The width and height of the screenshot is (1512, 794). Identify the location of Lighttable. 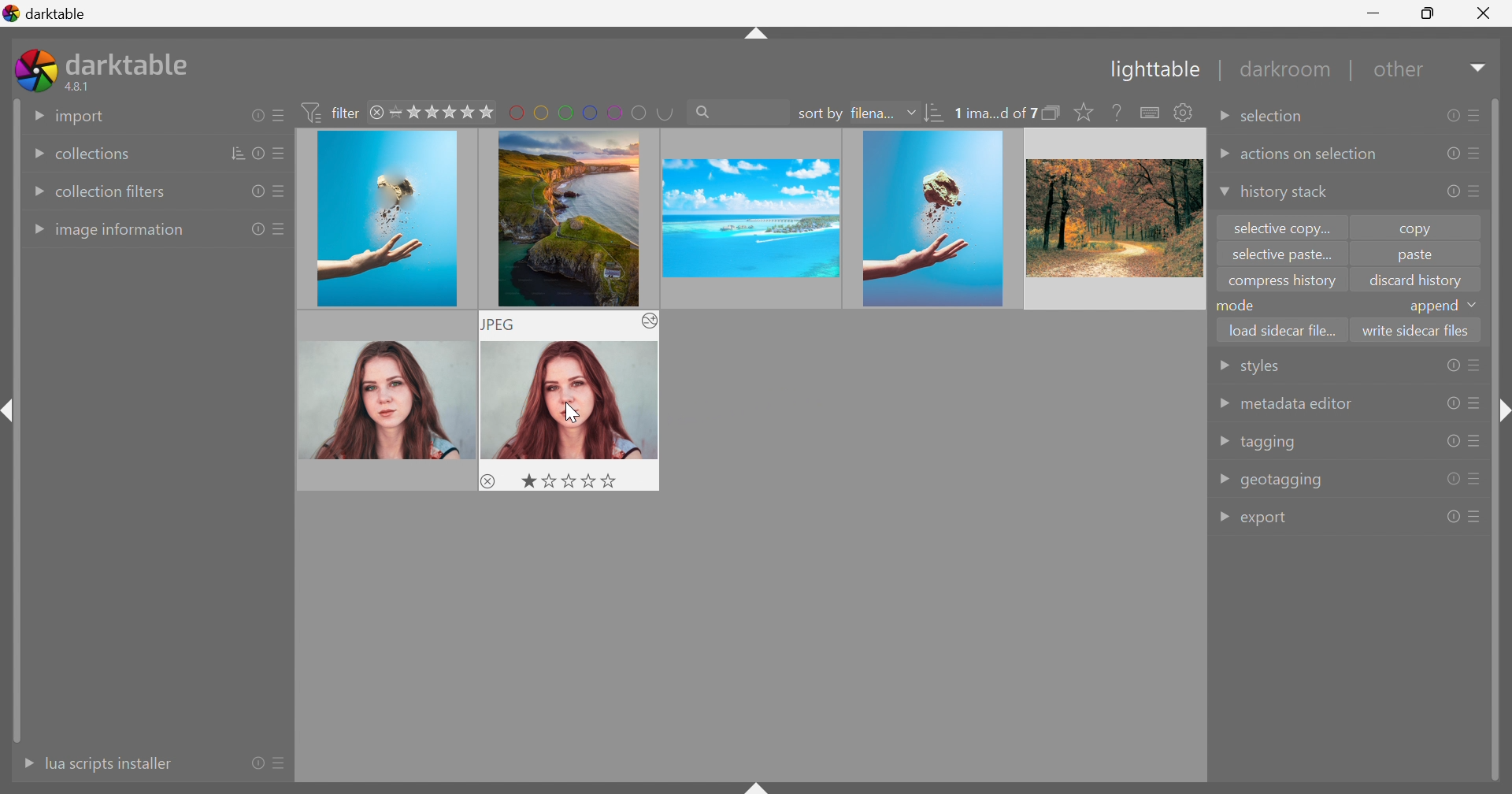
(1151, 72).